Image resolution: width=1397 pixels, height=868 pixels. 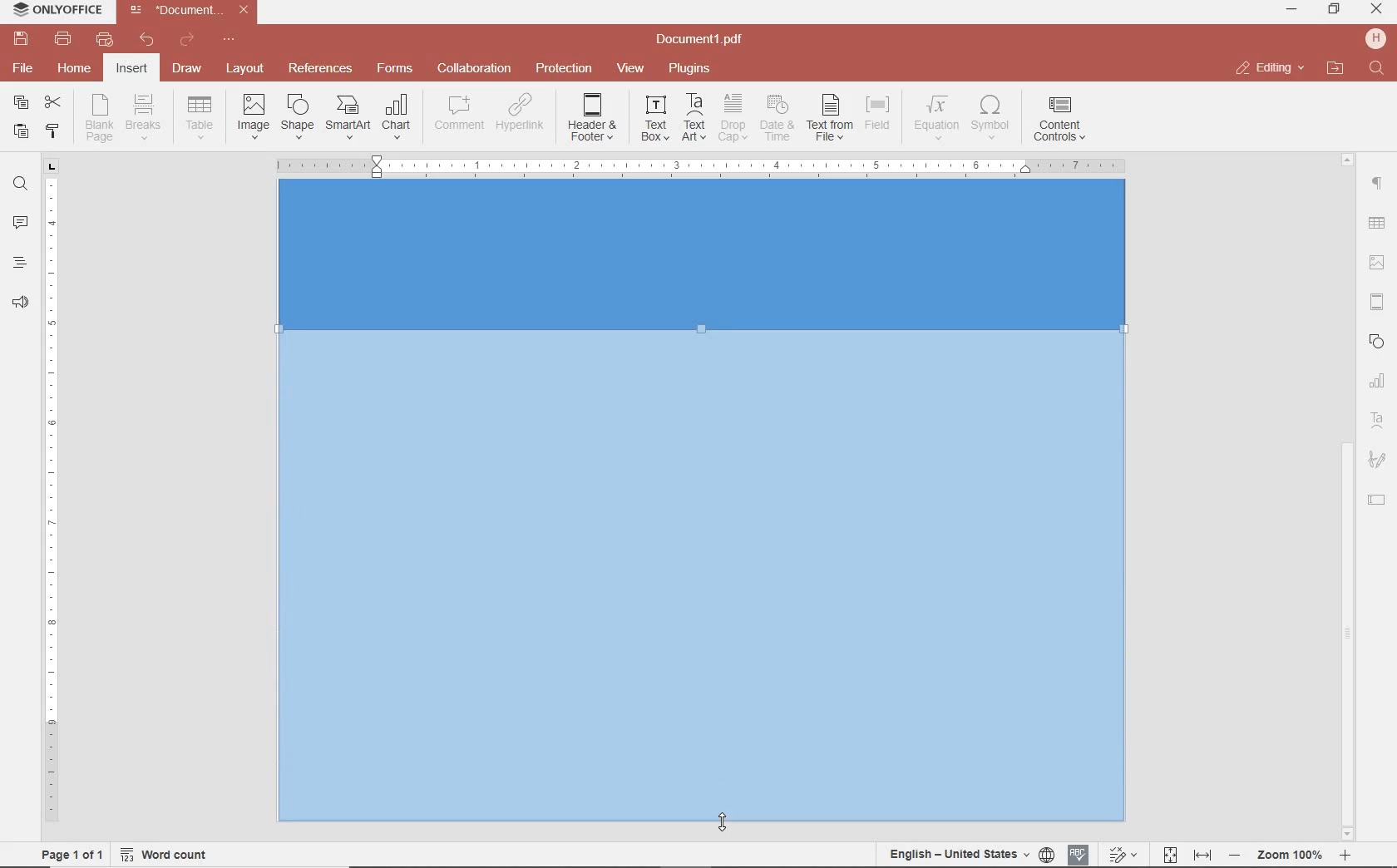 I want to click on page 1 of 1, so click(x=69, y=853).